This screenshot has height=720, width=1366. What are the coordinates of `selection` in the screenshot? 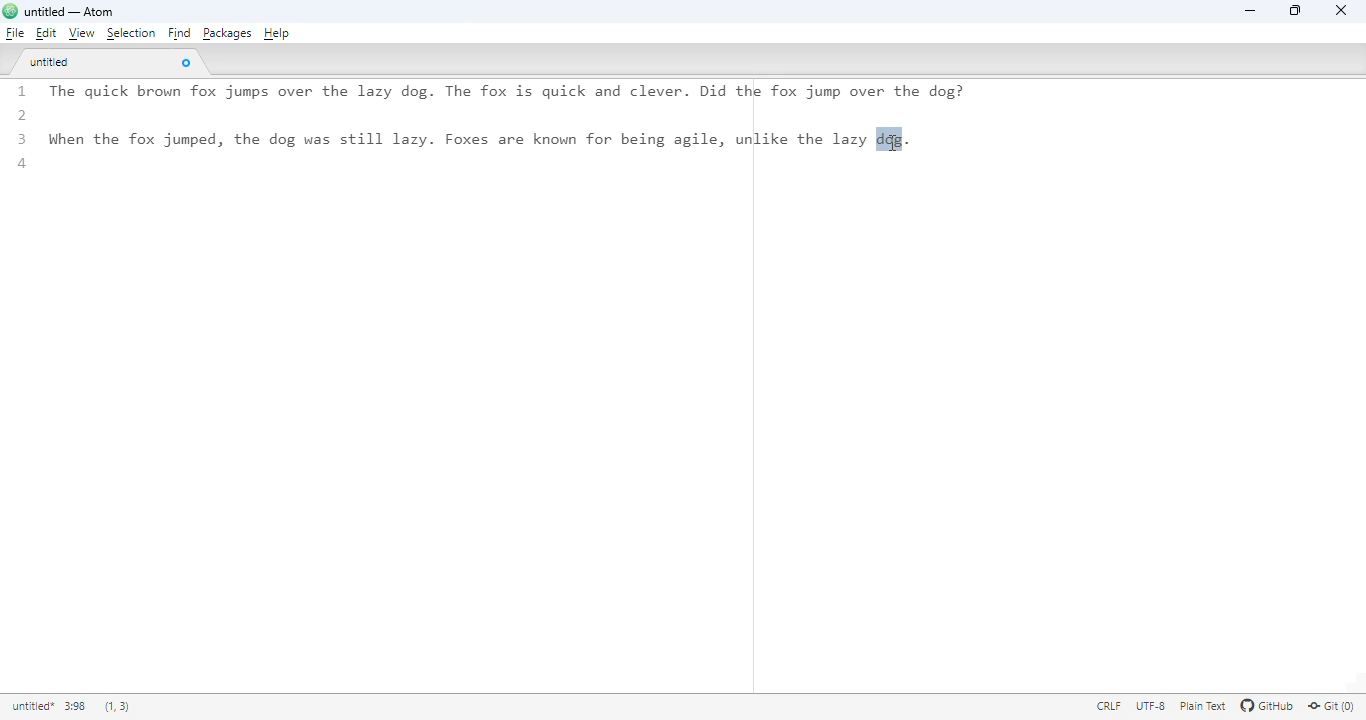 It's located at (130, 34).